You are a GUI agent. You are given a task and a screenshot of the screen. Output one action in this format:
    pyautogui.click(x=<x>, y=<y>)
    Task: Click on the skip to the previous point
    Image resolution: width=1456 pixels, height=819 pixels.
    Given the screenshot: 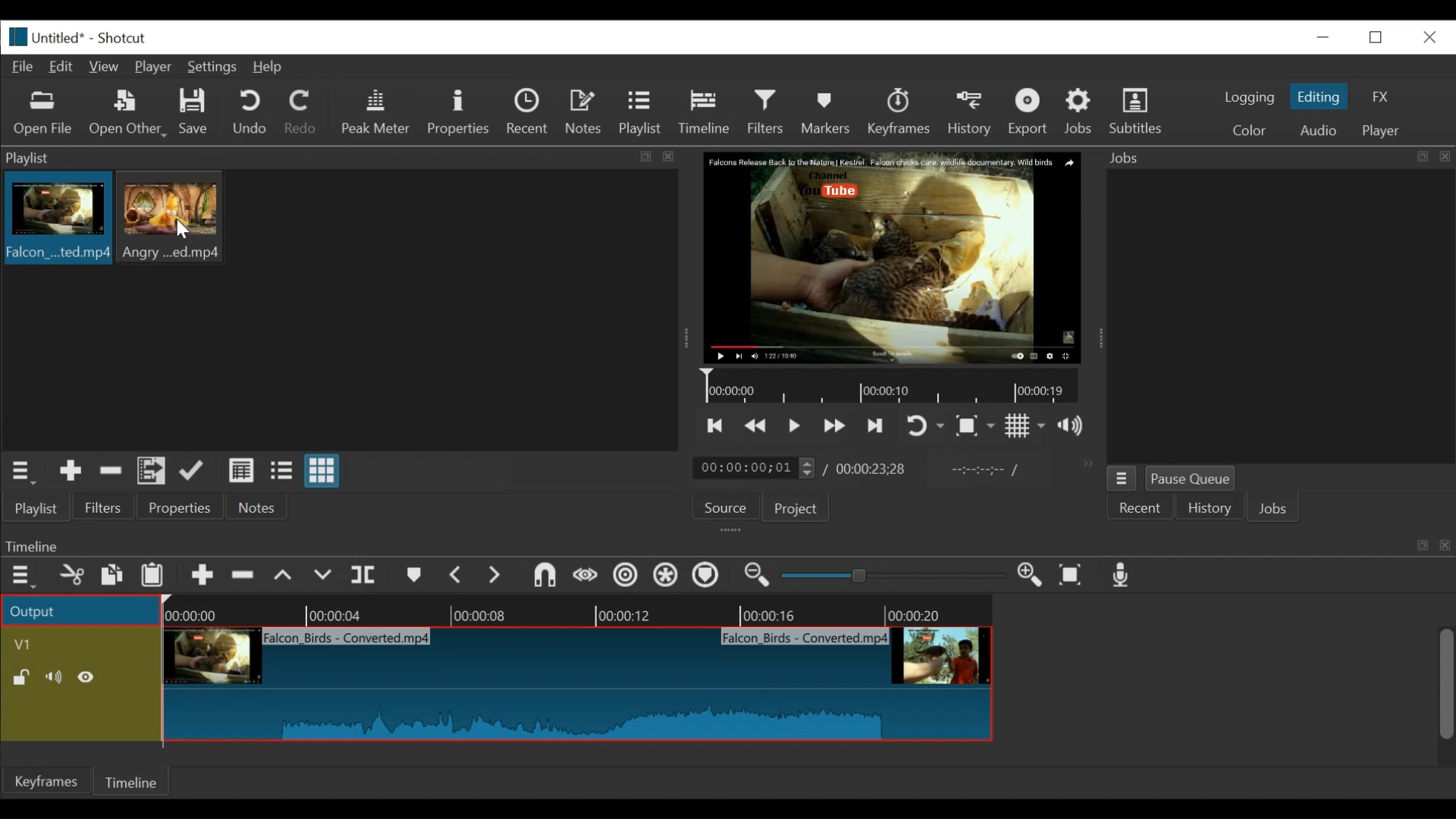 What is the action you would take?
    pyautogui.click(x=715, y=426)
    